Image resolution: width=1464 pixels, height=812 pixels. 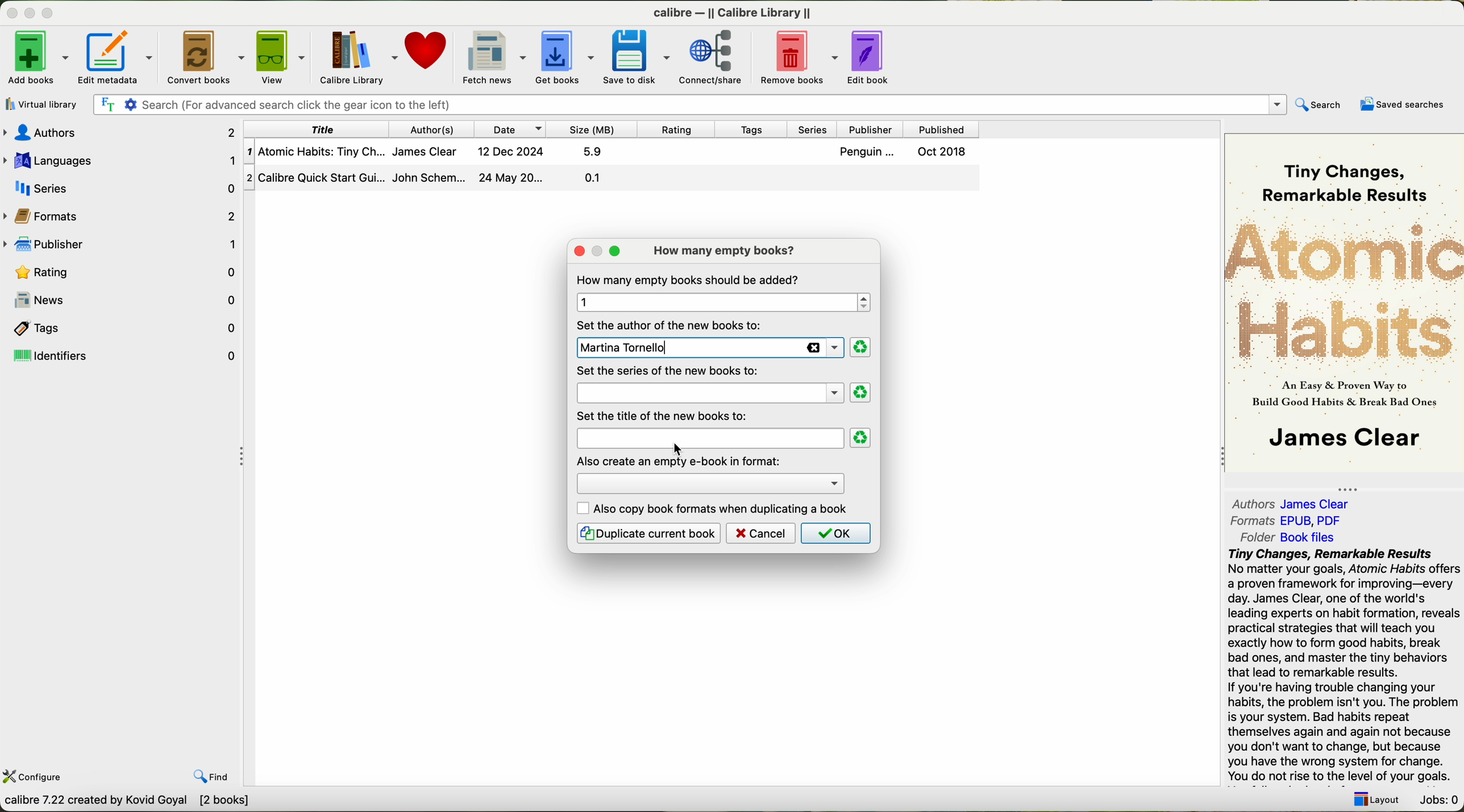 I want to click on how many empty books?, so click(x=727, y=251).